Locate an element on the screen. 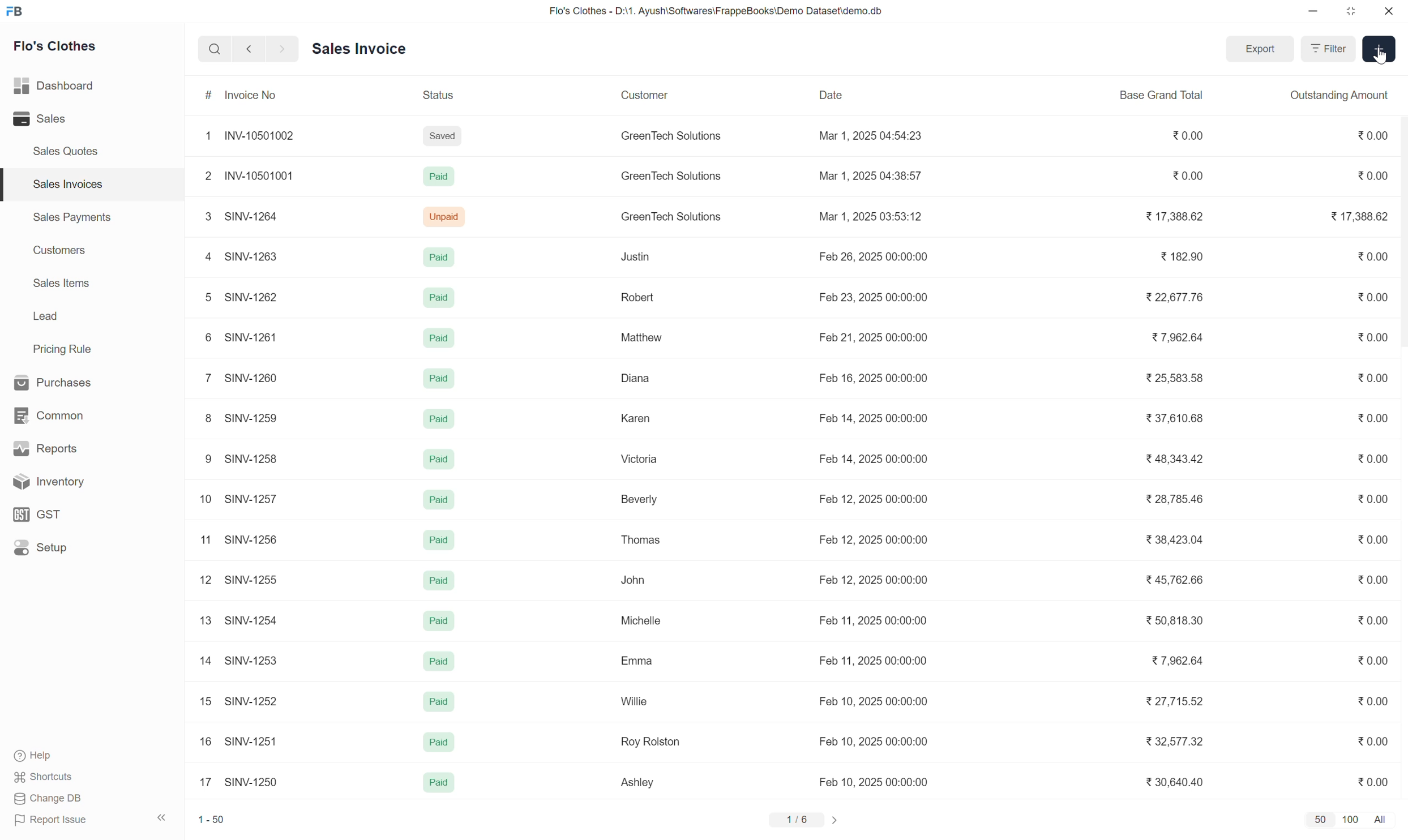 This screenshot has height=840, width=1408. Feb 12, 2025 00:00:00 is located at coordinates (878, 503).